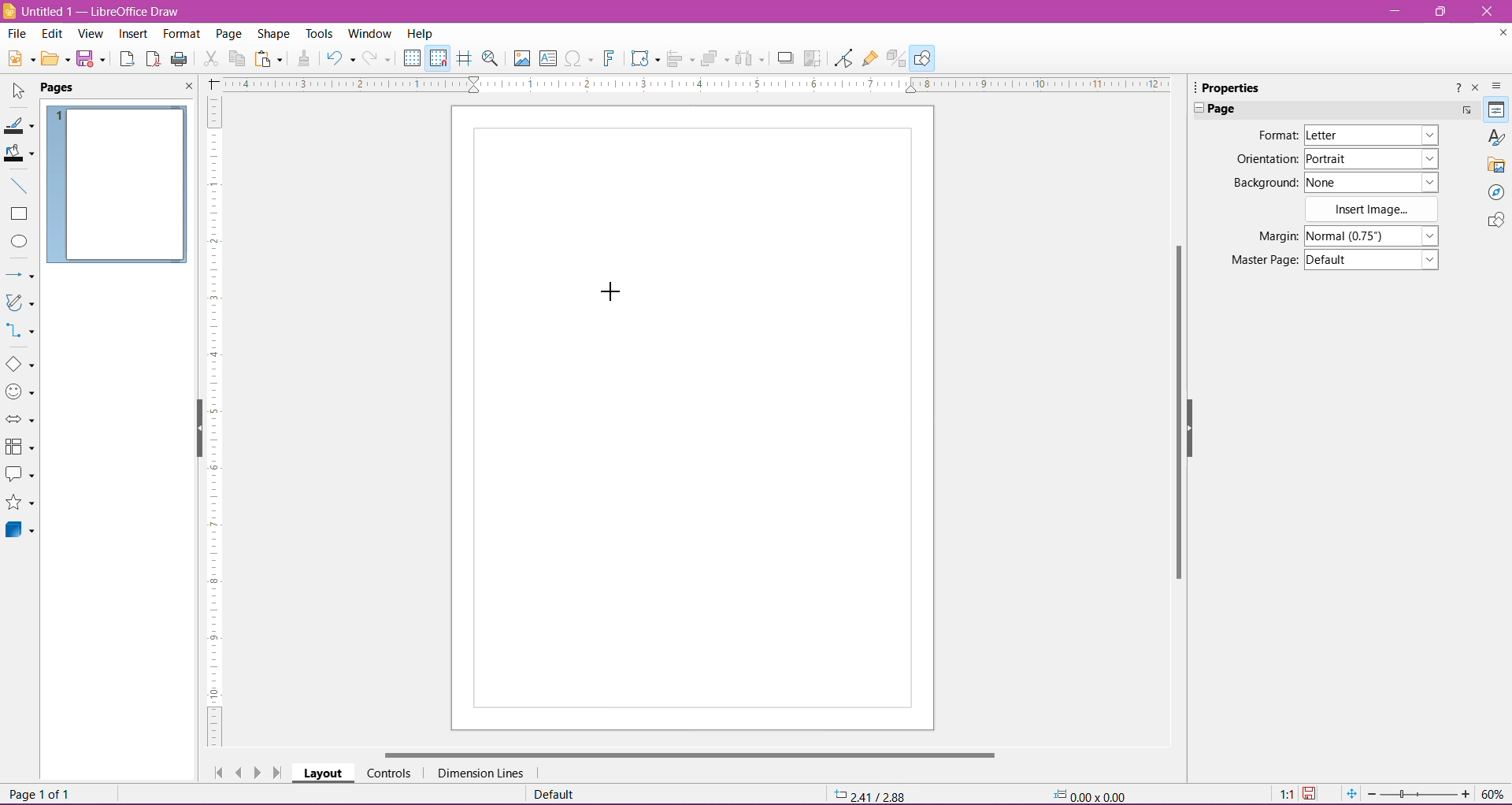 The height and width of the screenshot is (805, 1512). Describe the element at coordinates (18, 185) in the screenshot. I see `Insert Line` at that location.